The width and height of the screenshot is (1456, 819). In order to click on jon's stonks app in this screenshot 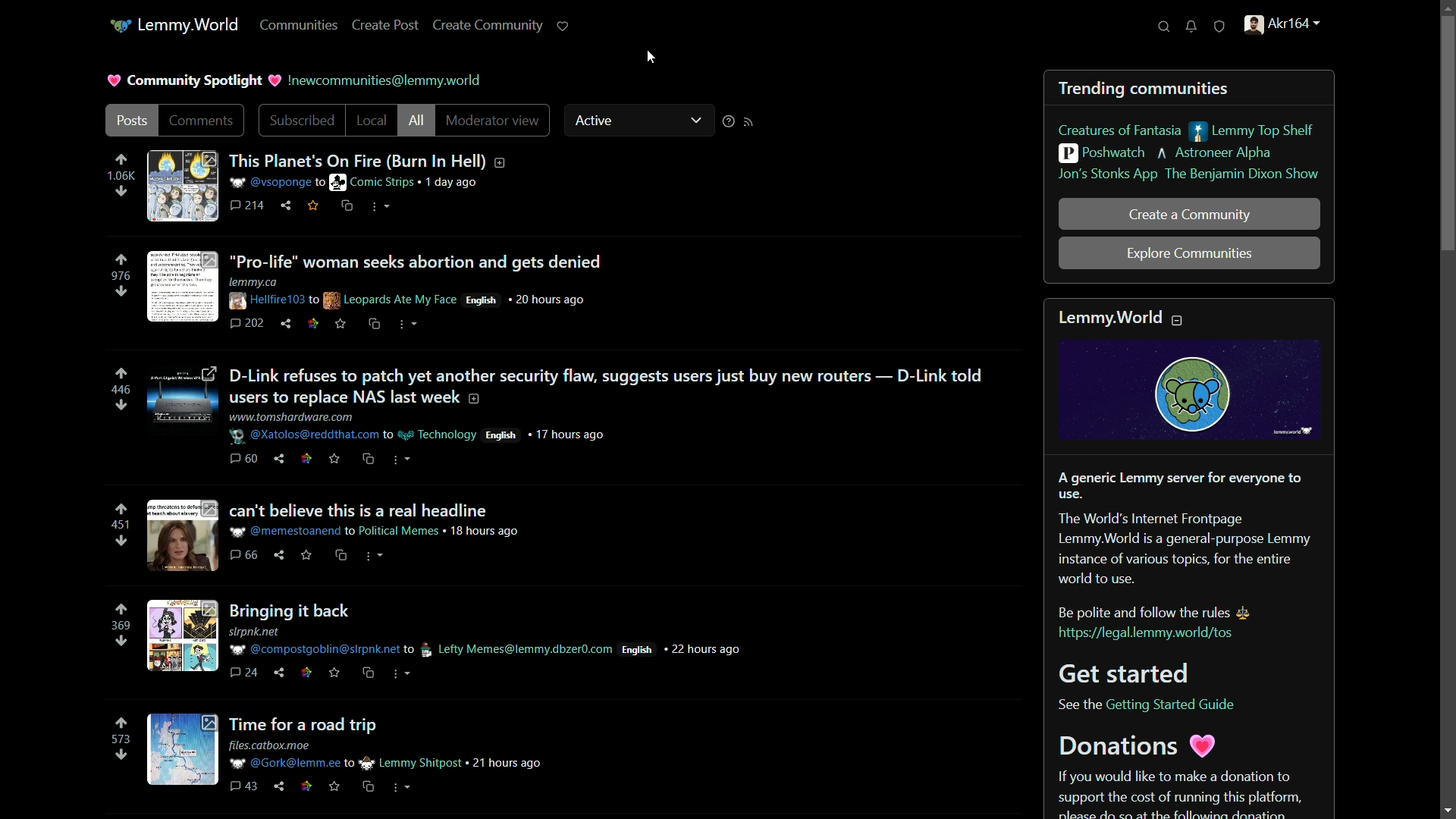, I will do `click(1106, 176)`.